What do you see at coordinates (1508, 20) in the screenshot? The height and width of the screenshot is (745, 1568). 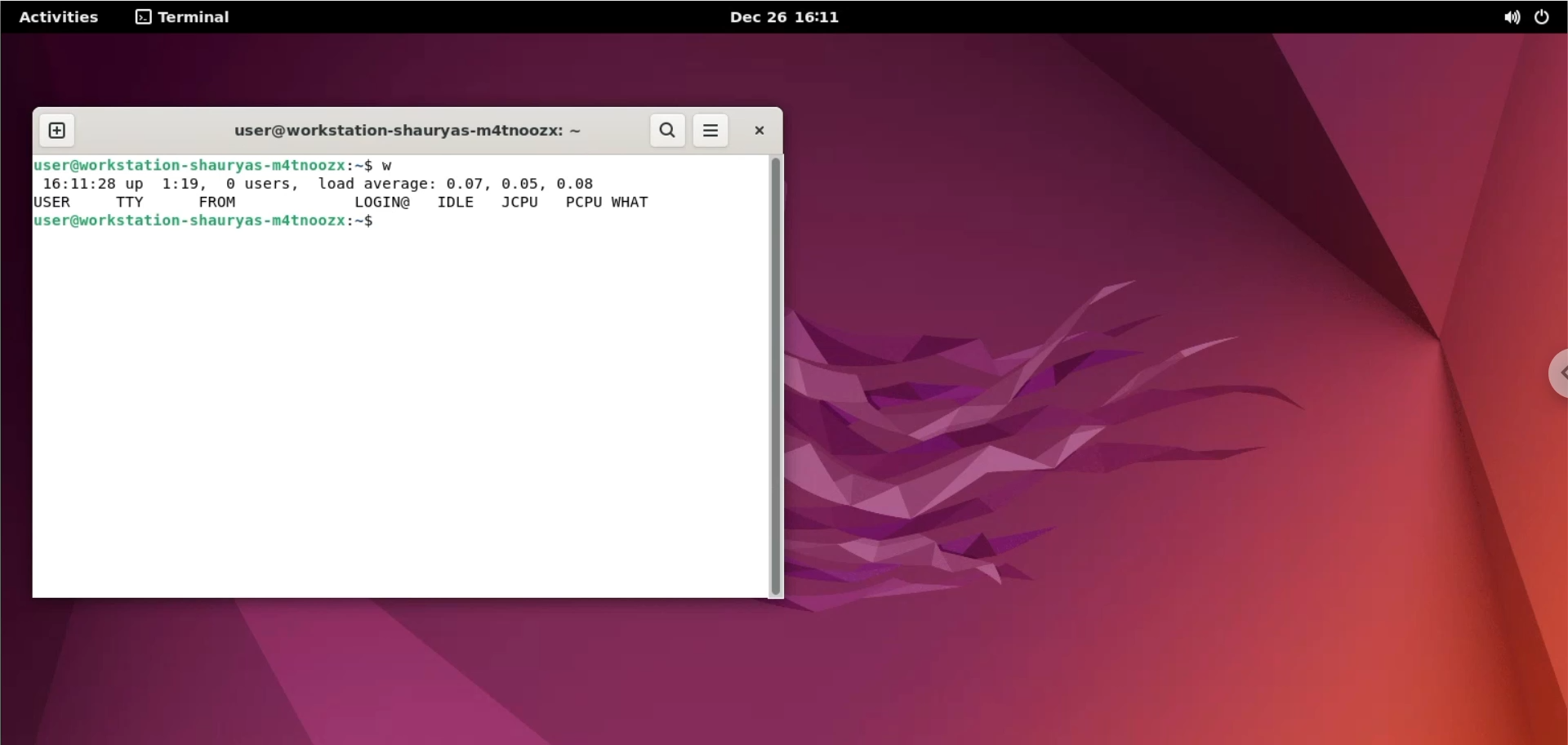 I see `sound options` at bounding box center [1508, 20].